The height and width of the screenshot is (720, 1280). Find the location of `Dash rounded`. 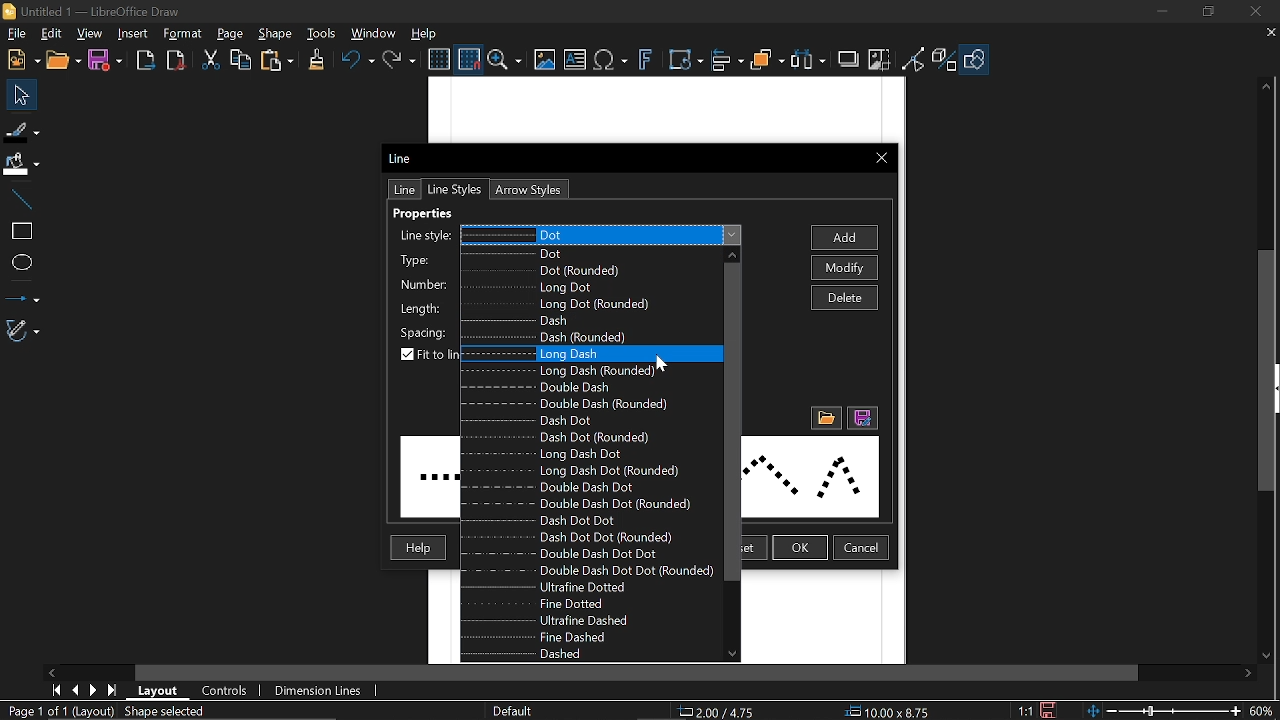

Dash rounded is located at coordinates (587, 337).